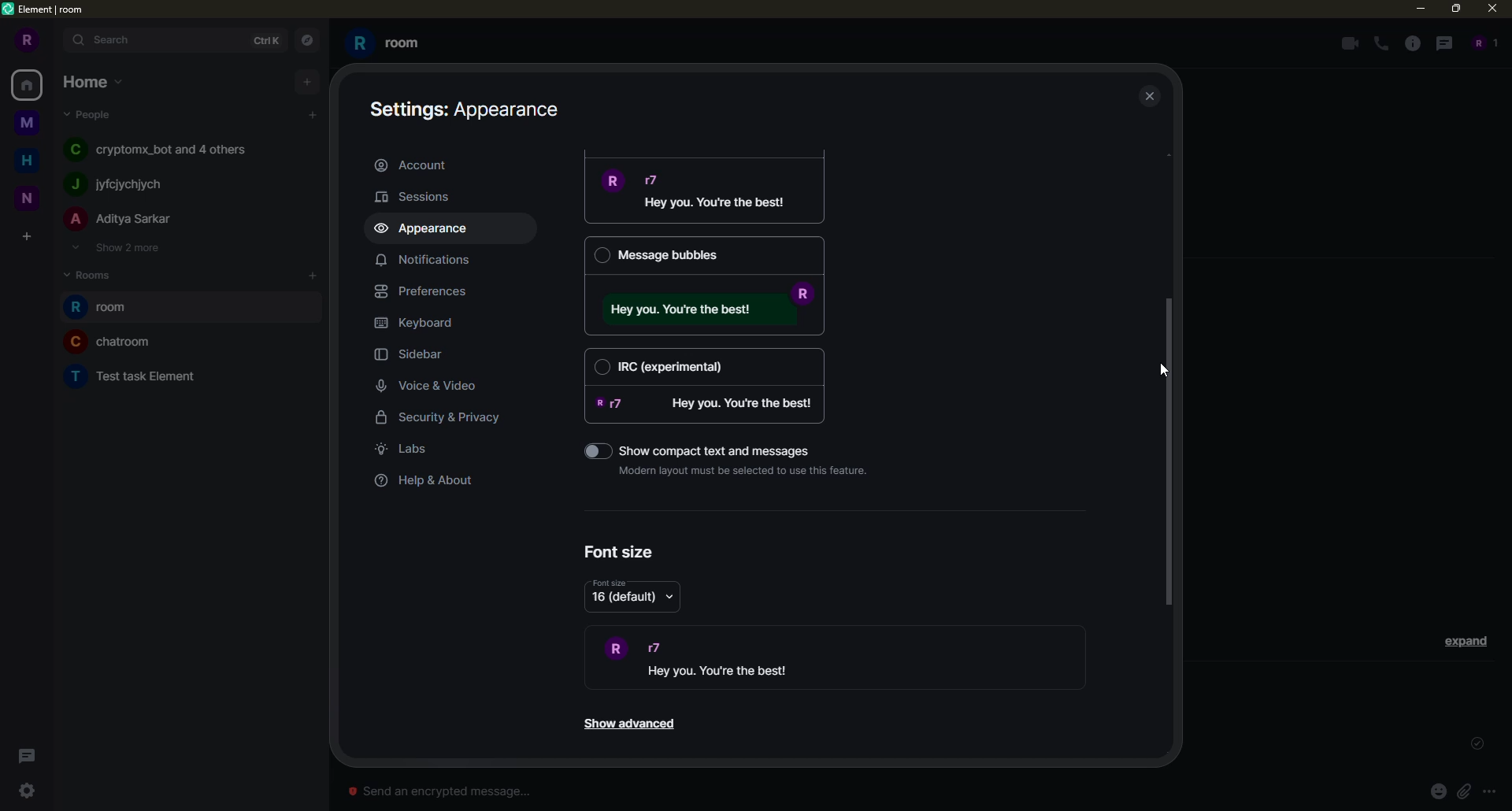  What do you see at coordinates (426, 481) in the screenshot?
I see `help & about` at bounding box center [426, 481].